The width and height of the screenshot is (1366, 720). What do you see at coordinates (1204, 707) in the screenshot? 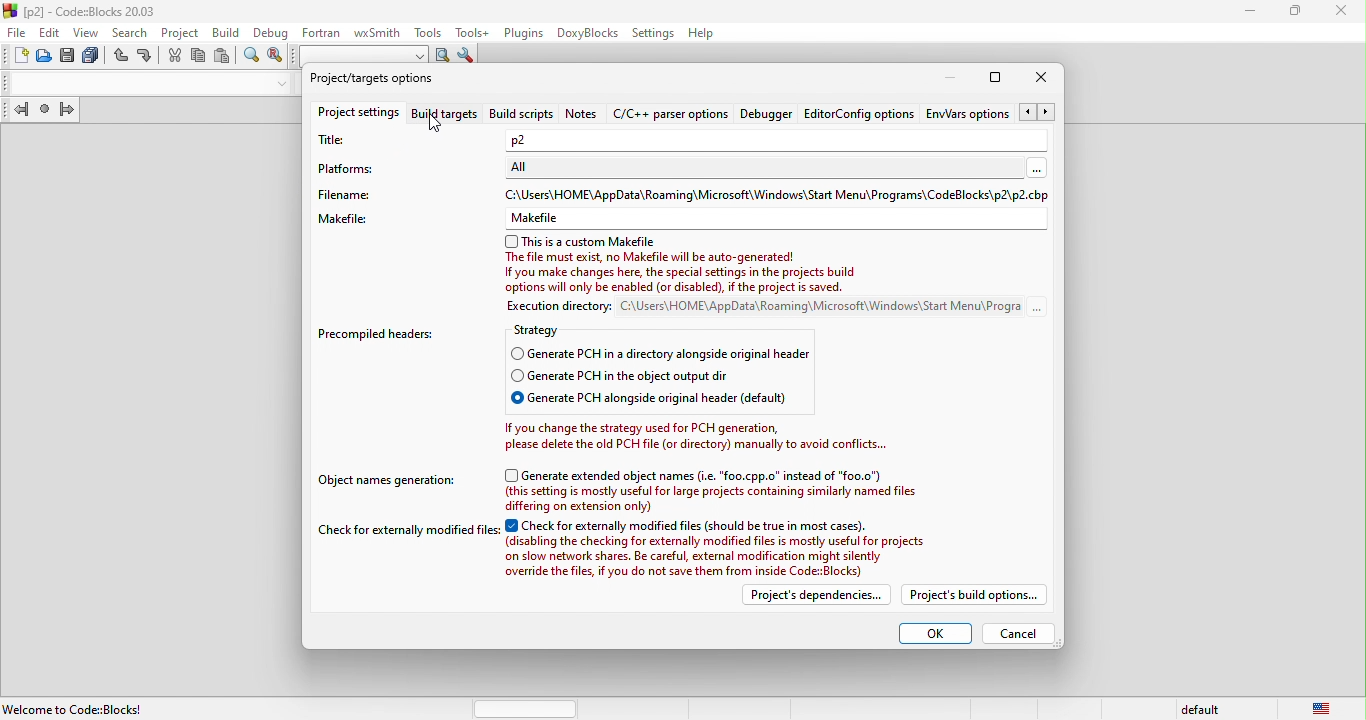
I see `default` at bounding box center [1204, 707].